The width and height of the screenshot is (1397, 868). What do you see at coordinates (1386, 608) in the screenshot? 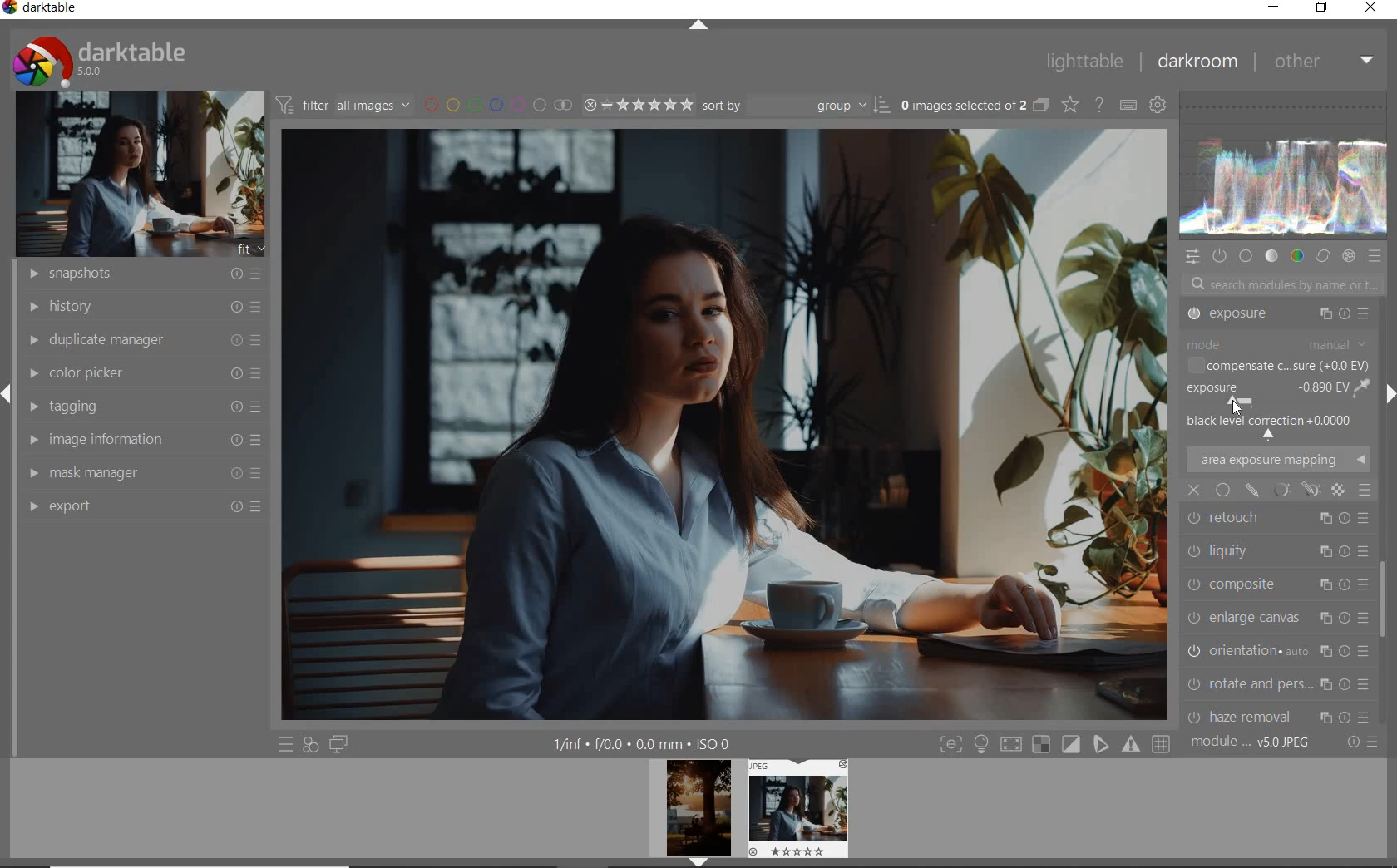
I see `SCROLLBAR` at bounding box center [1386, 608].